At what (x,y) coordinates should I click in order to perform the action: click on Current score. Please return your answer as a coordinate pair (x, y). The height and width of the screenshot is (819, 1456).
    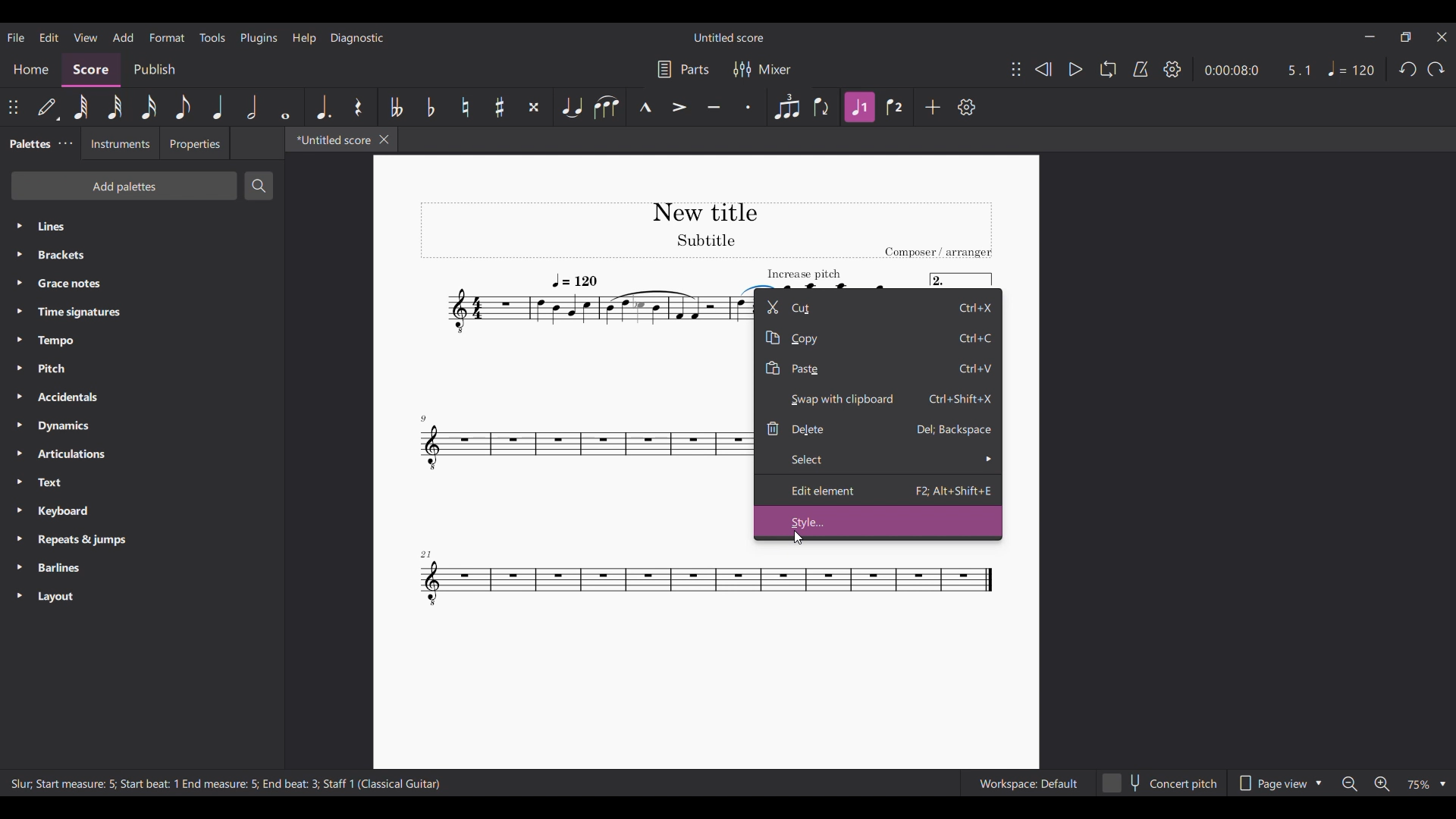
    Looking at the image, I should click on (577, 463).